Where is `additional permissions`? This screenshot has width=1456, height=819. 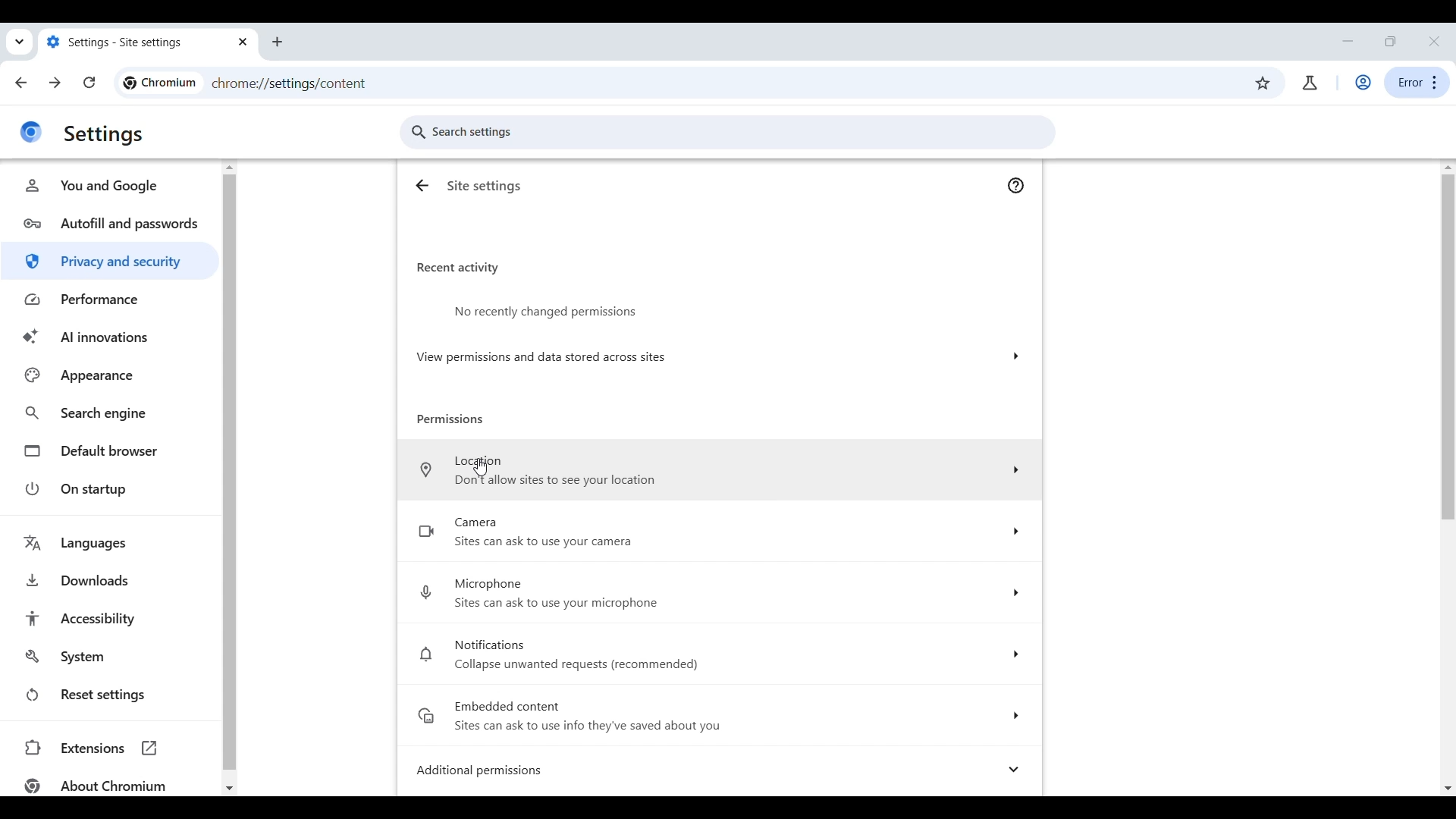 additional permissions is located at coordinates (722, 770).